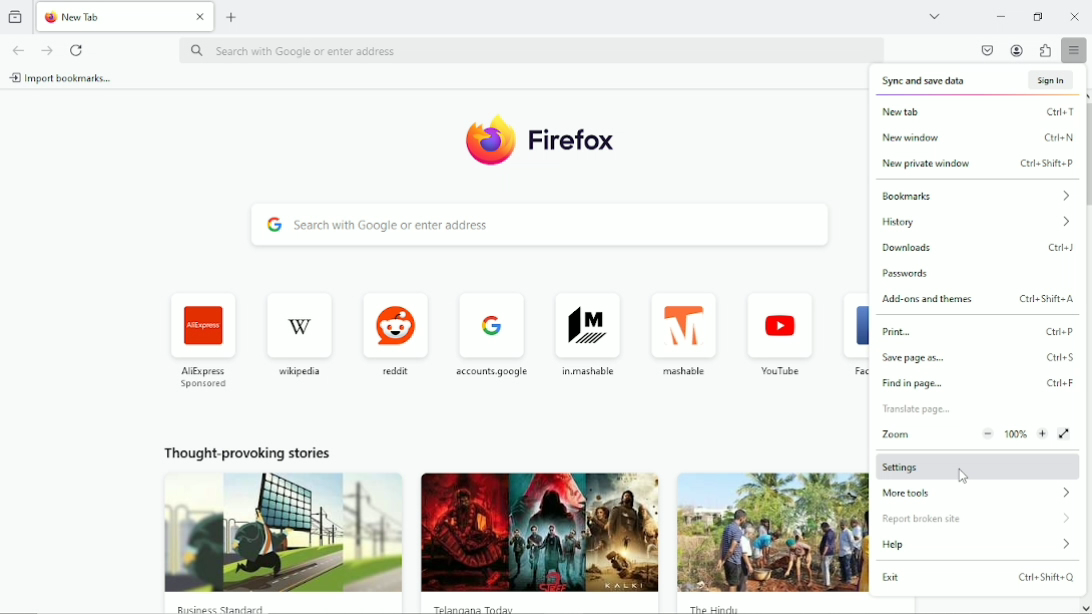 This screenshot has width=1092, height=614. What do you see at coordinates (45, 50) in the screenshot?
I see `go forward` at bounding box center [45, 50].